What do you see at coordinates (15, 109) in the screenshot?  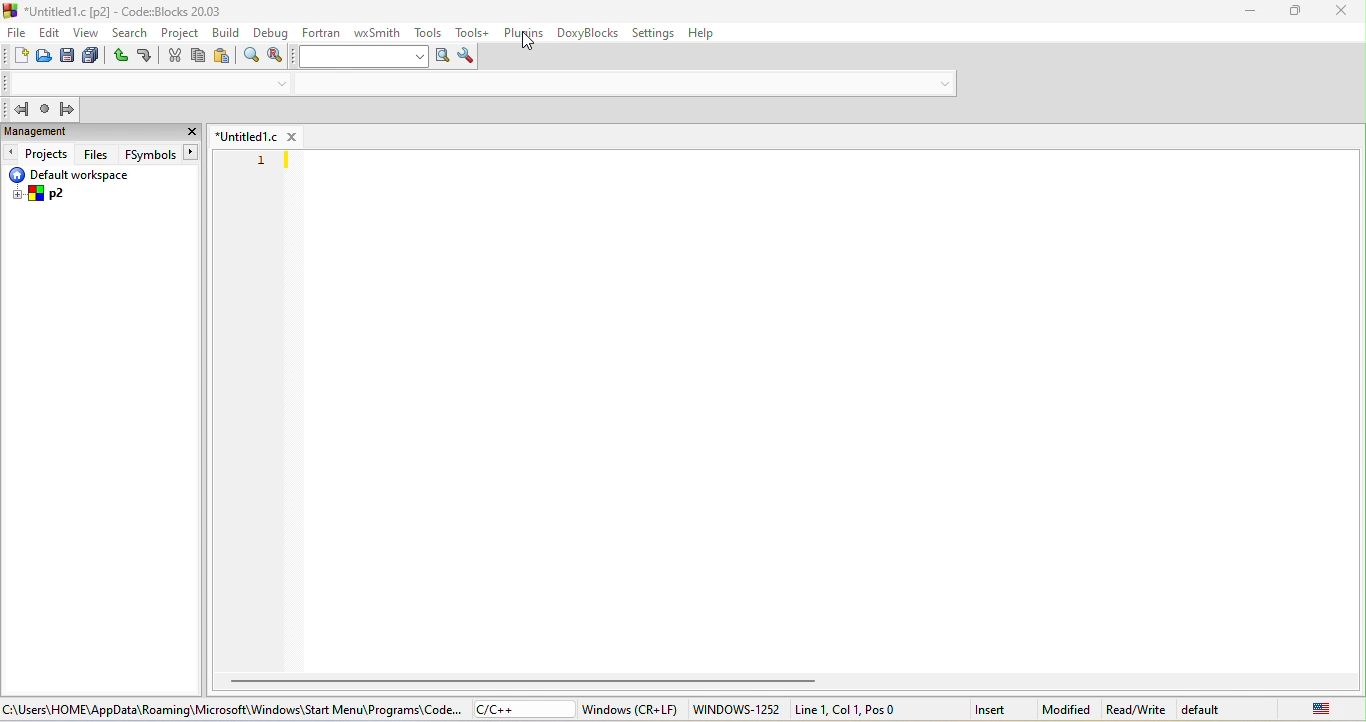 I see `jump back` at bounding box center [15, 109].